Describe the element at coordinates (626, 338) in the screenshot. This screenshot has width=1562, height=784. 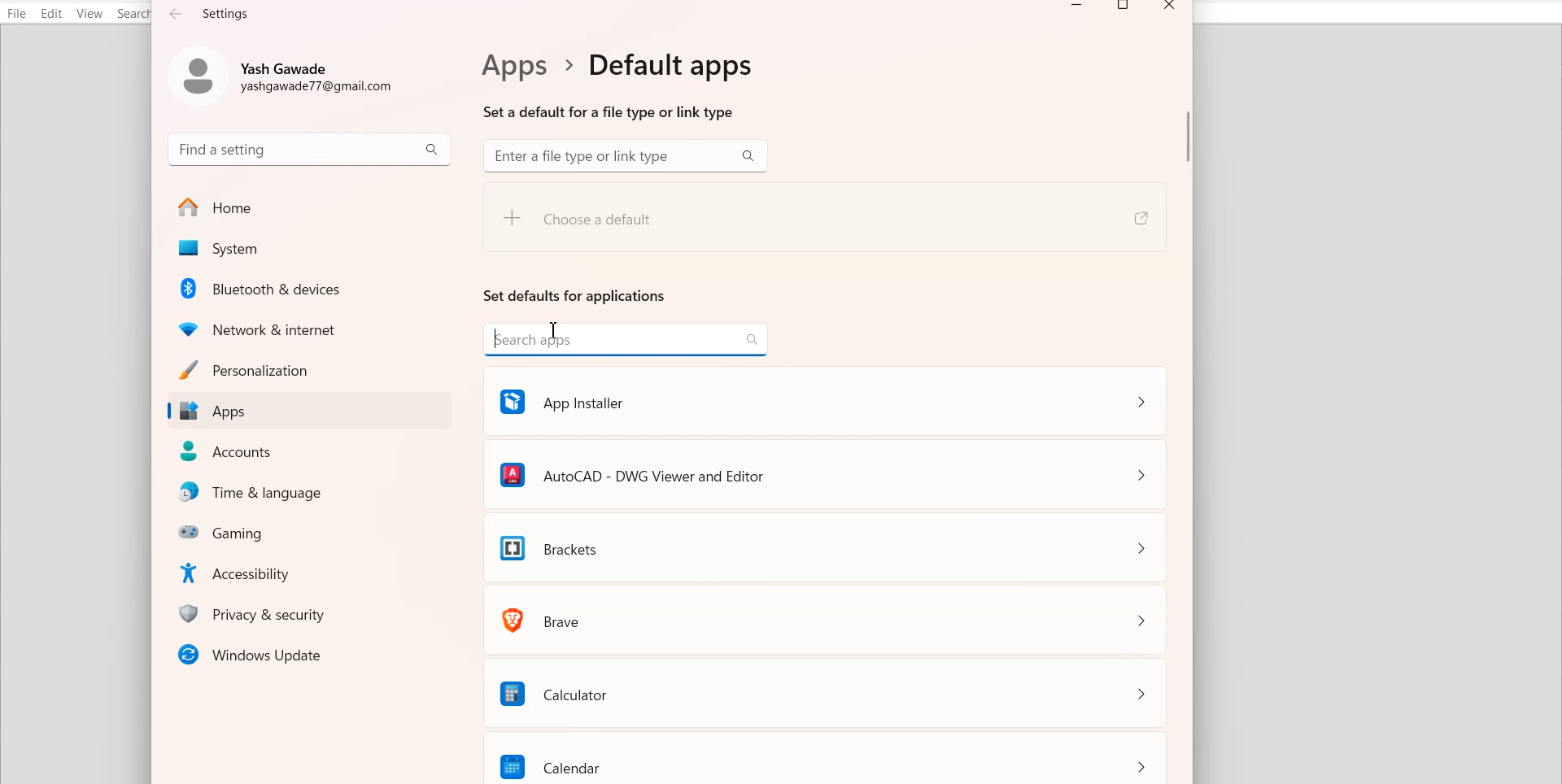
I see `Search apps` at that location.